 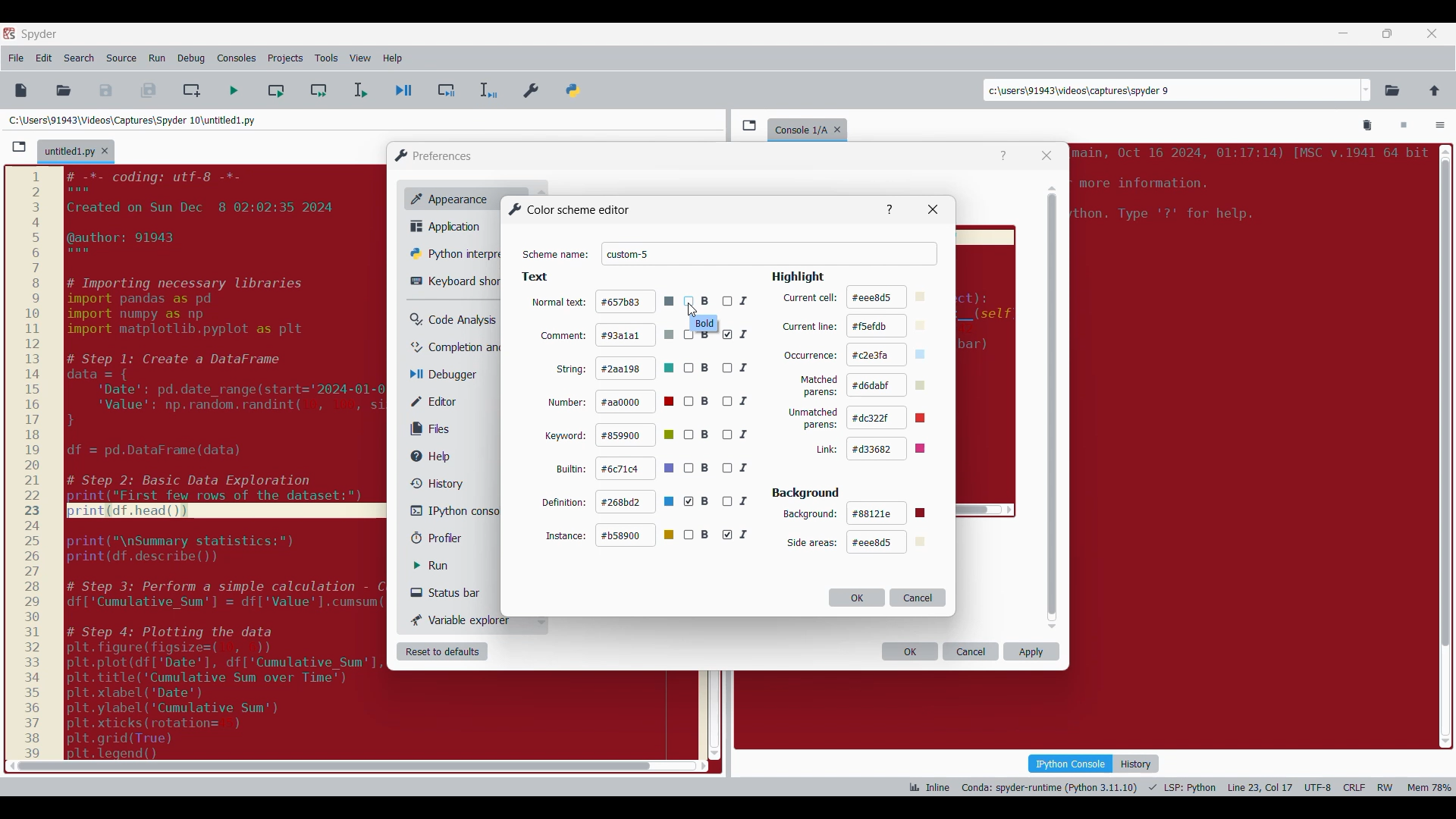 I want to click on B, so click(x=698, y=435).